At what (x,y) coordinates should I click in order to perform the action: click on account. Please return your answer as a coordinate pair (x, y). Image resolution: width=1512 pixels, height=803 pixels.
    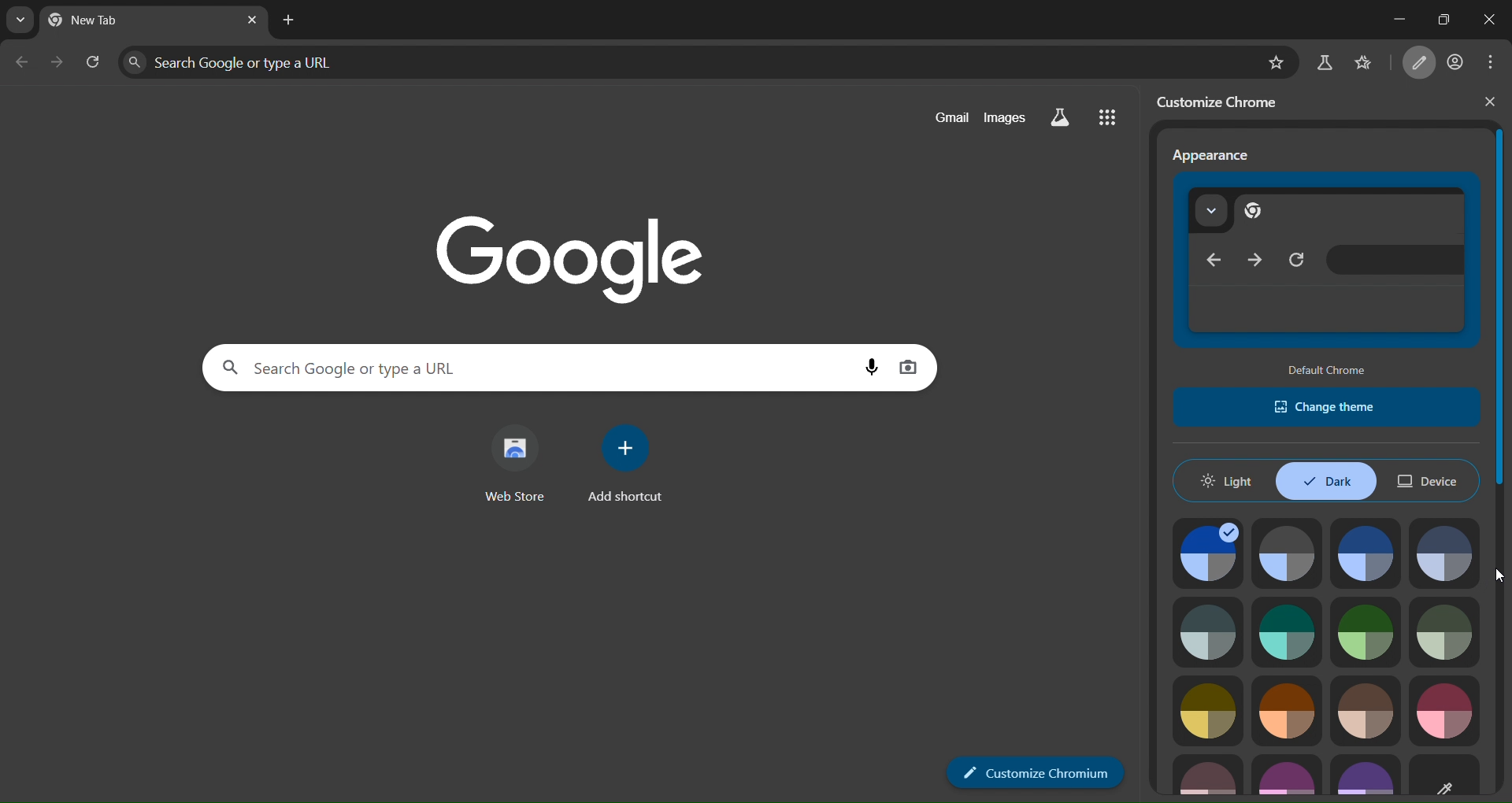
    Looking at the image, I should click on (1458, 60).